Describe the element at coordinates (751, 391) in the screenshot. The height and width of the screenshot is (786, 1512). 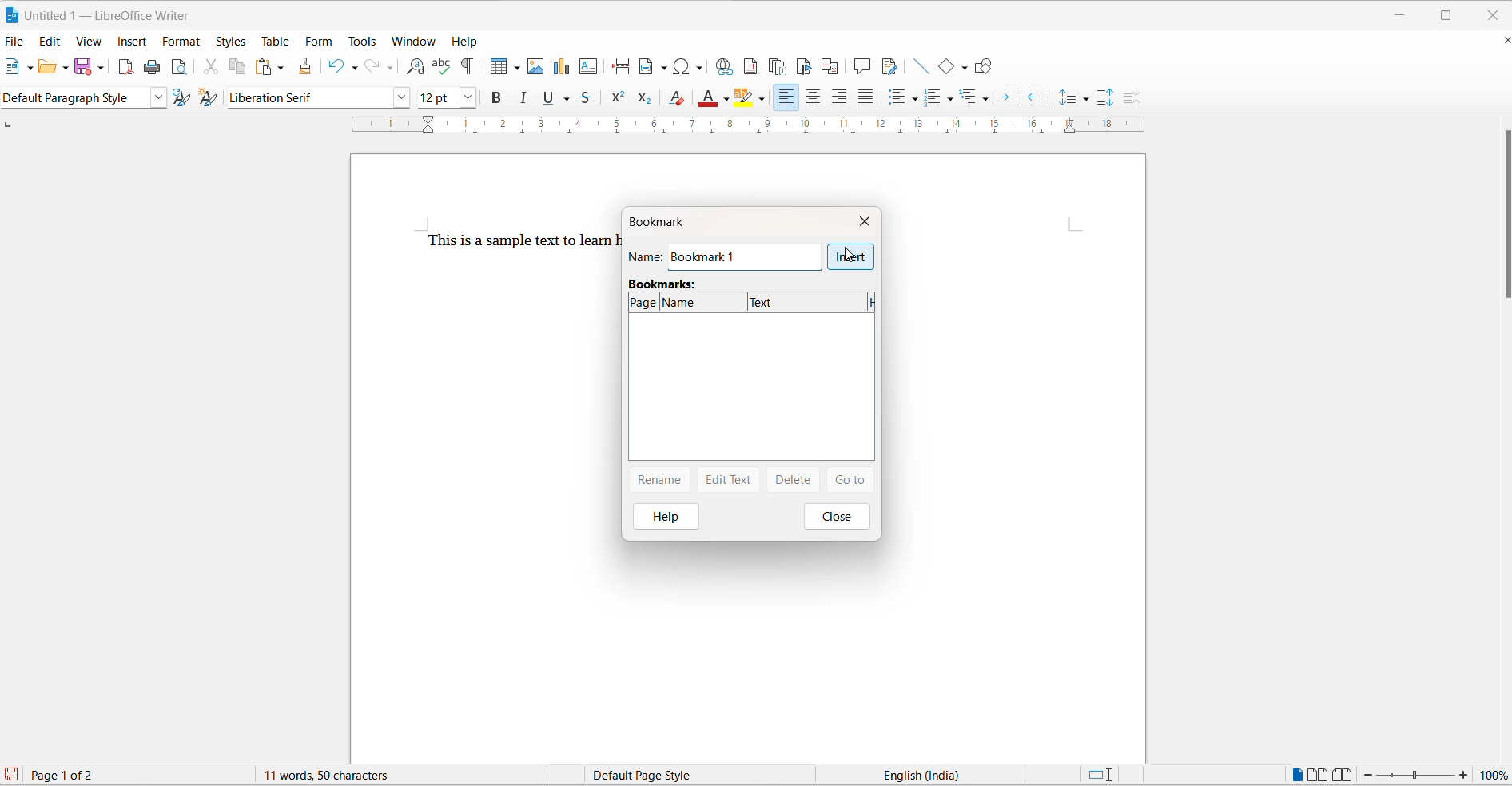
I see `bookmark table` at that location.